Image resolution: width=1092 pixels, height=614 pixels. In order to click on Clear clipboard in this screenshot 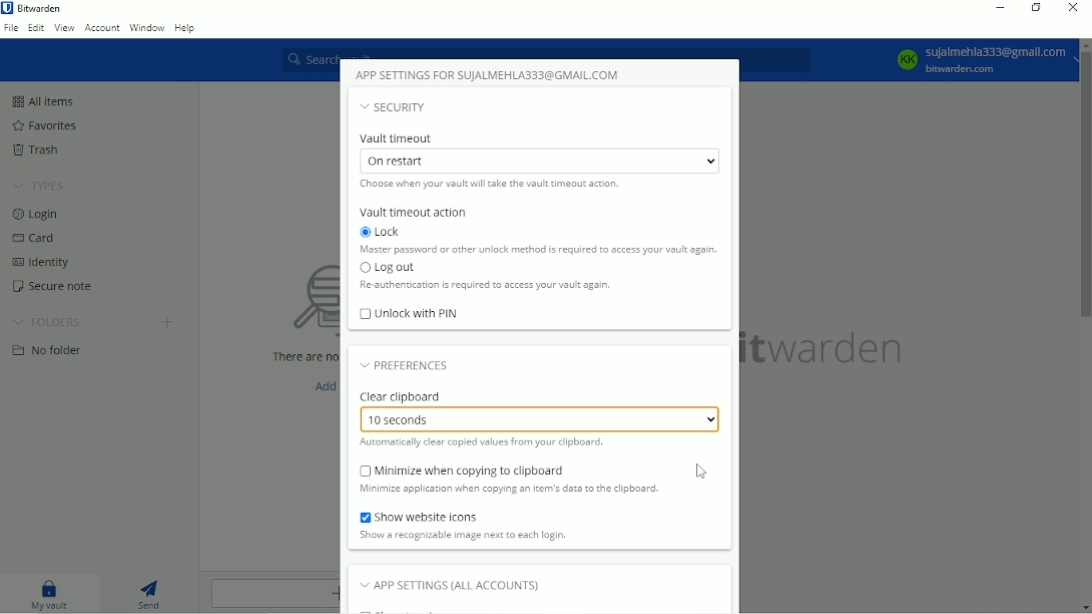, I will do `click(403, 396)`.